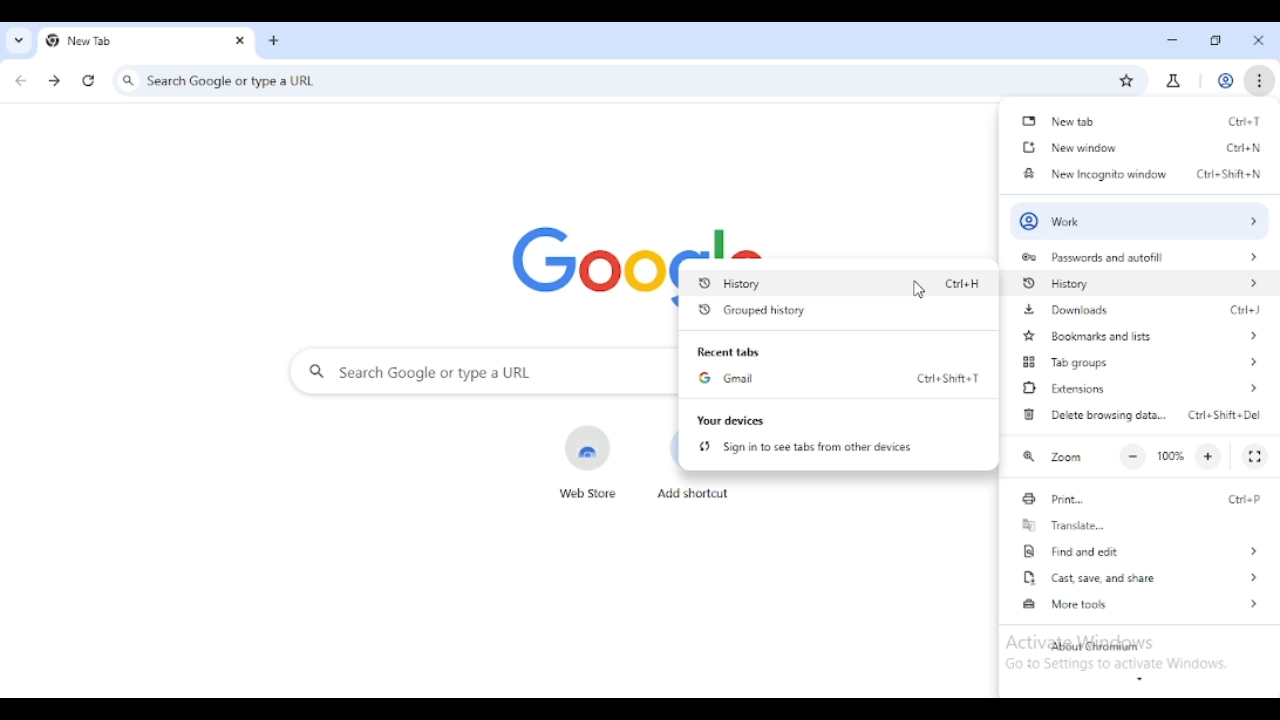  Describe the element at coordinates (1126, 81) in the screenshot. I see `bookmark this page` at that location.